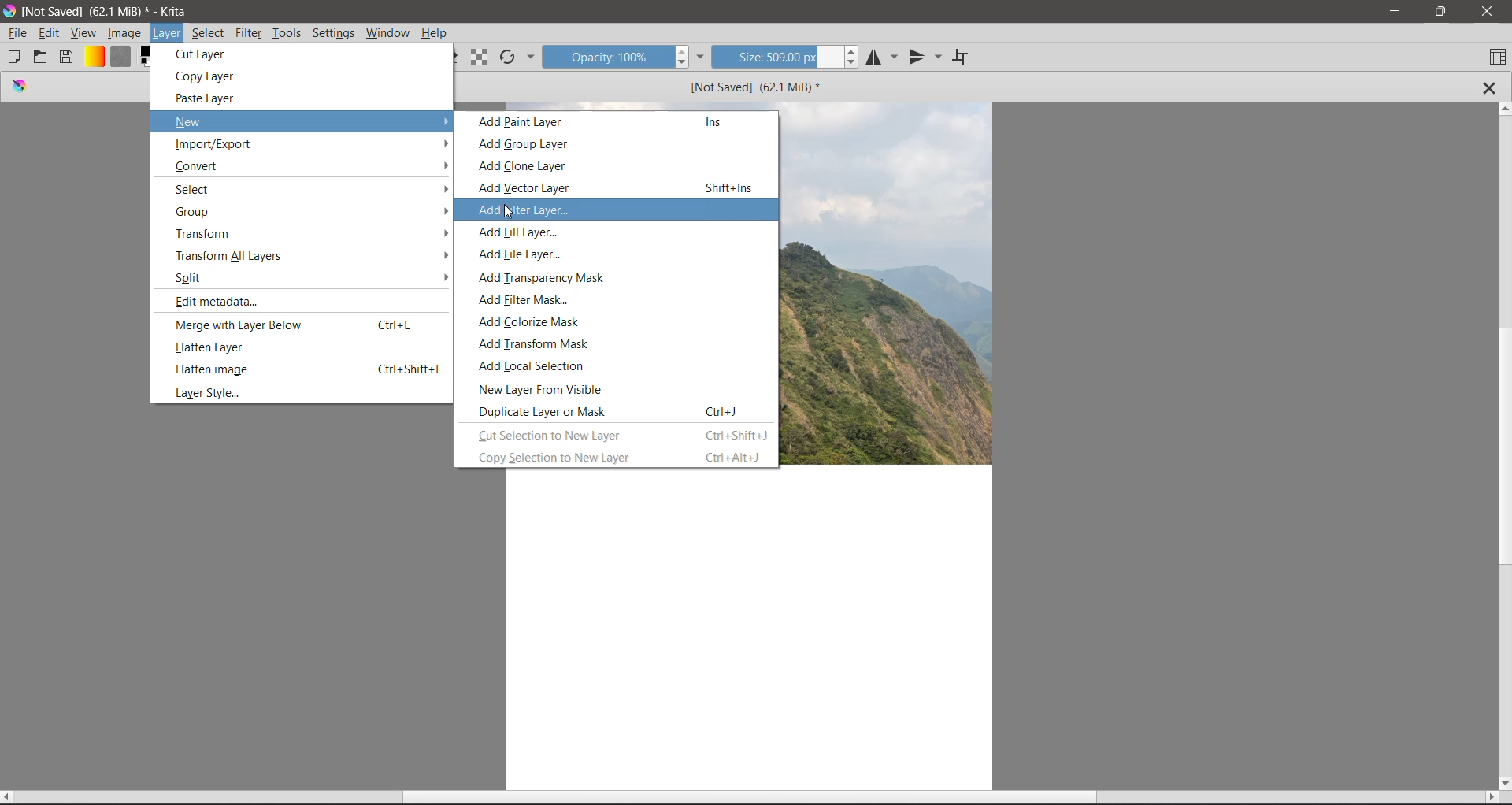 The image size is (1512, 805). I want to click on Add Fil Layer, so click(514, 232).